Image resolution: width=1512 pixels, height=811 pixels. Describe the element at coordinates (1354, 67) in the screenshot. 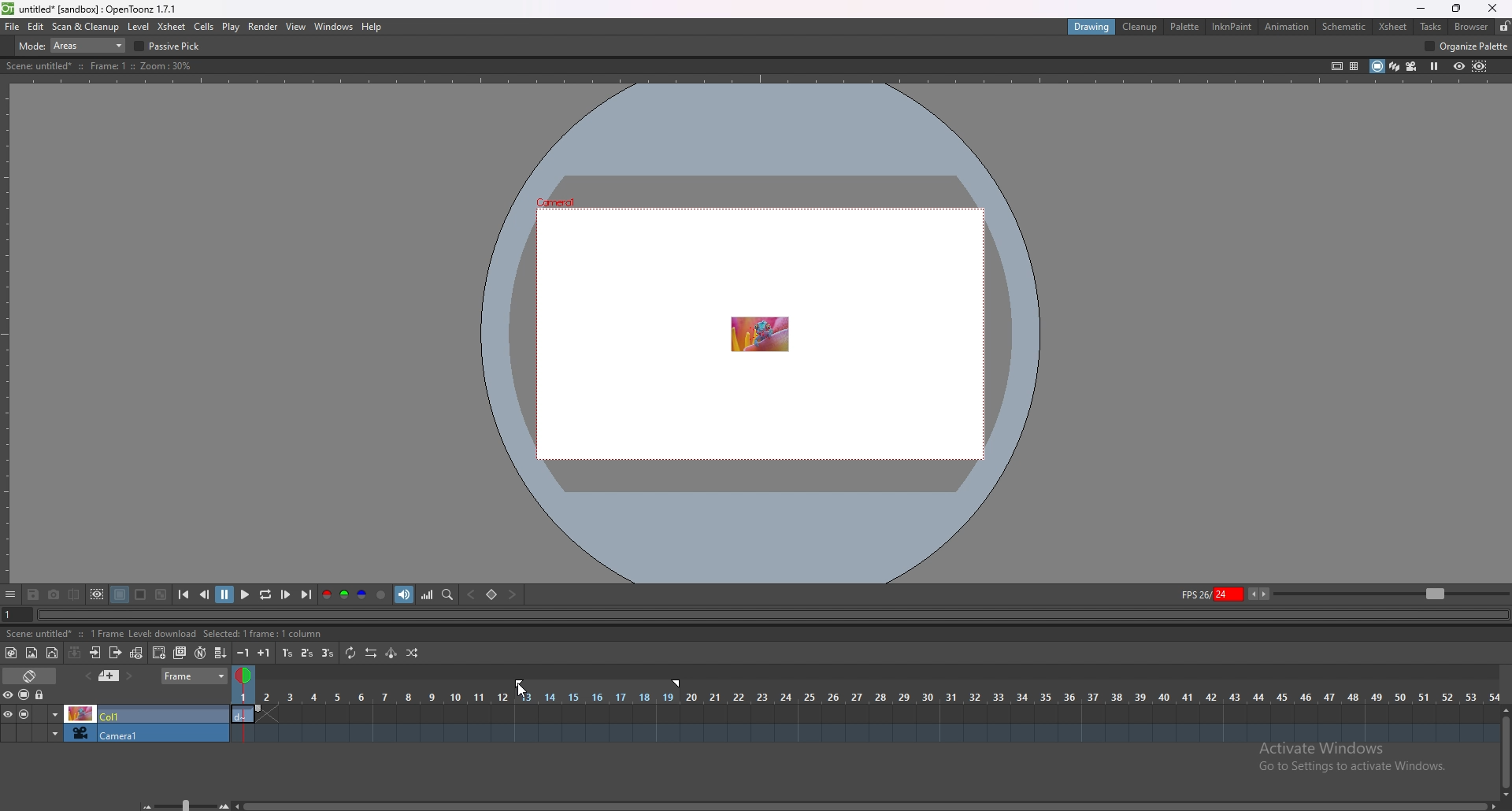

I see `field guide` at that location.